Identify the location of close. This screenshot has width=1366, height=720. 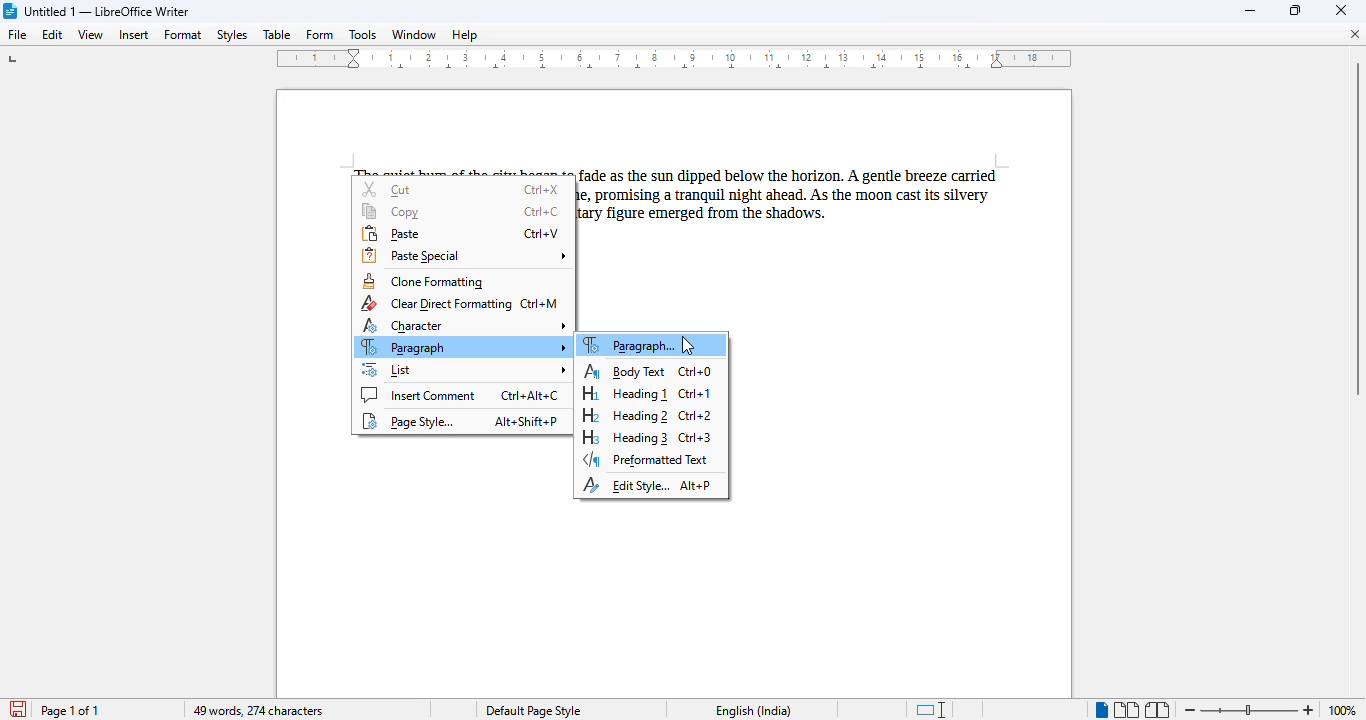
(1341, 9).